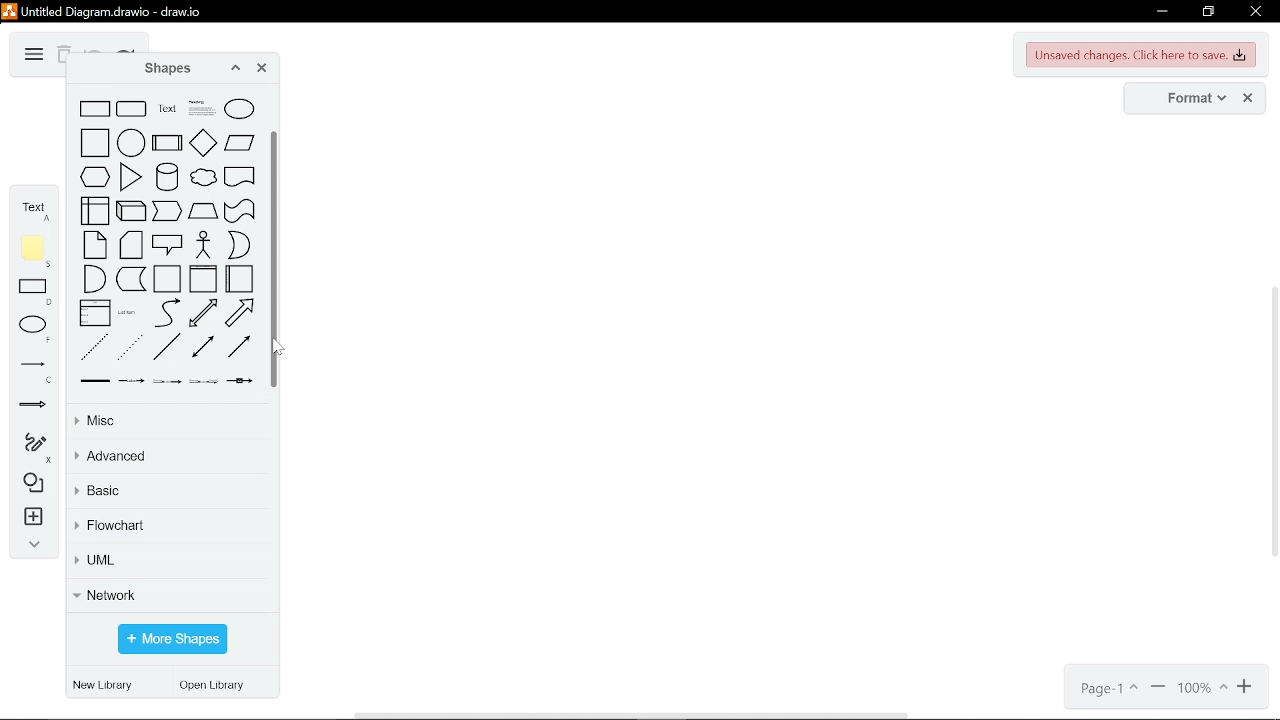 The image size is (1280, 720). Describe the element at coordinates (131, 245) in the screenshot. I see `card` at that location.